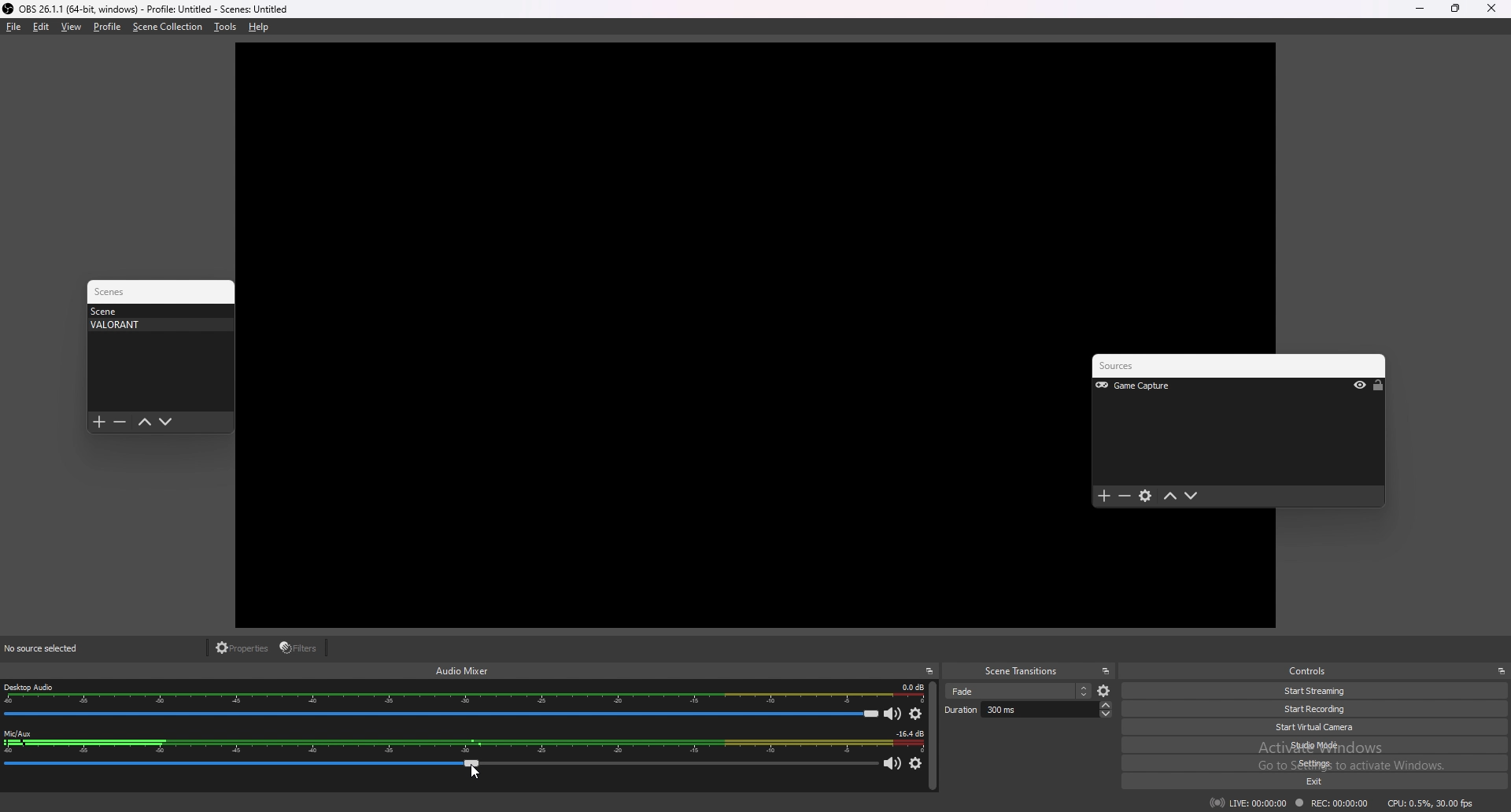 The width and height of the screenshot is (1511, 812). I want to click on scene selection, so click(1018, 691).